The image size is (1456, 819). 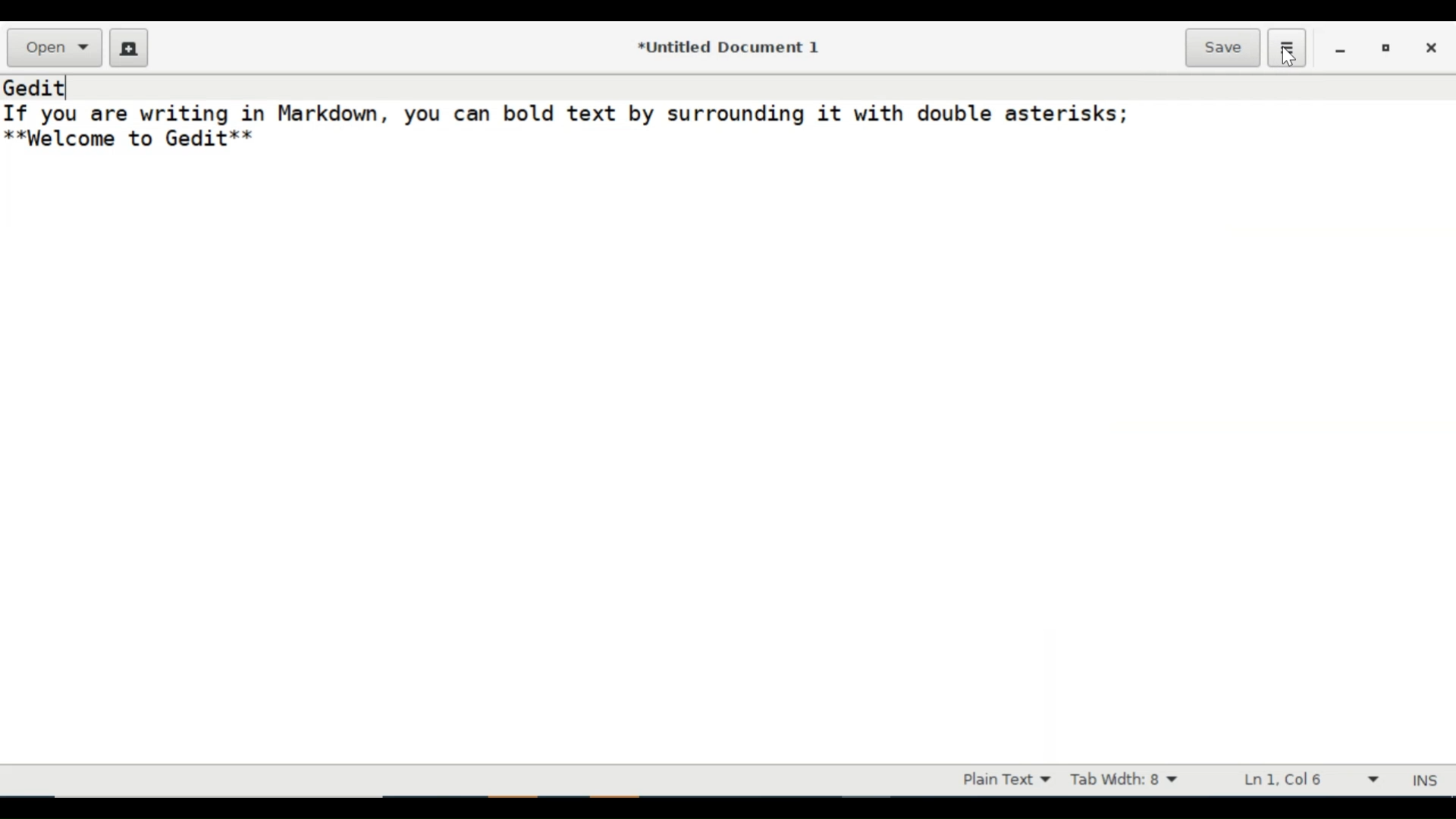 I want to click on minimize, so click(x=1345, y=48).